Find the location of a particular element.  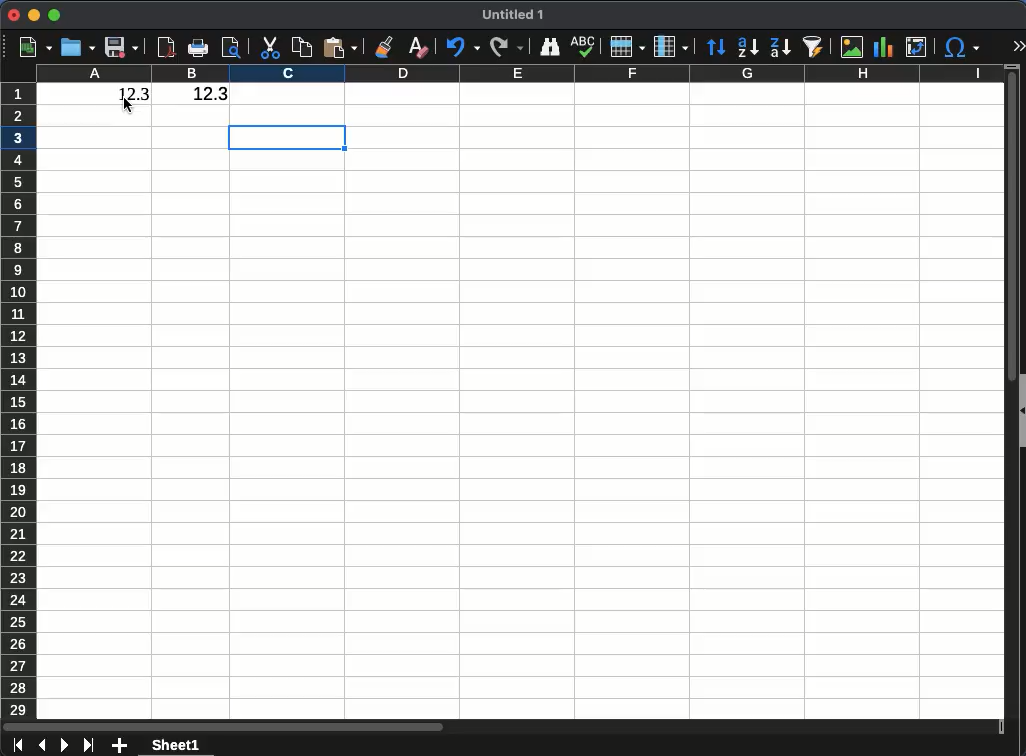

12.3 is located at coordinates (124, 93).